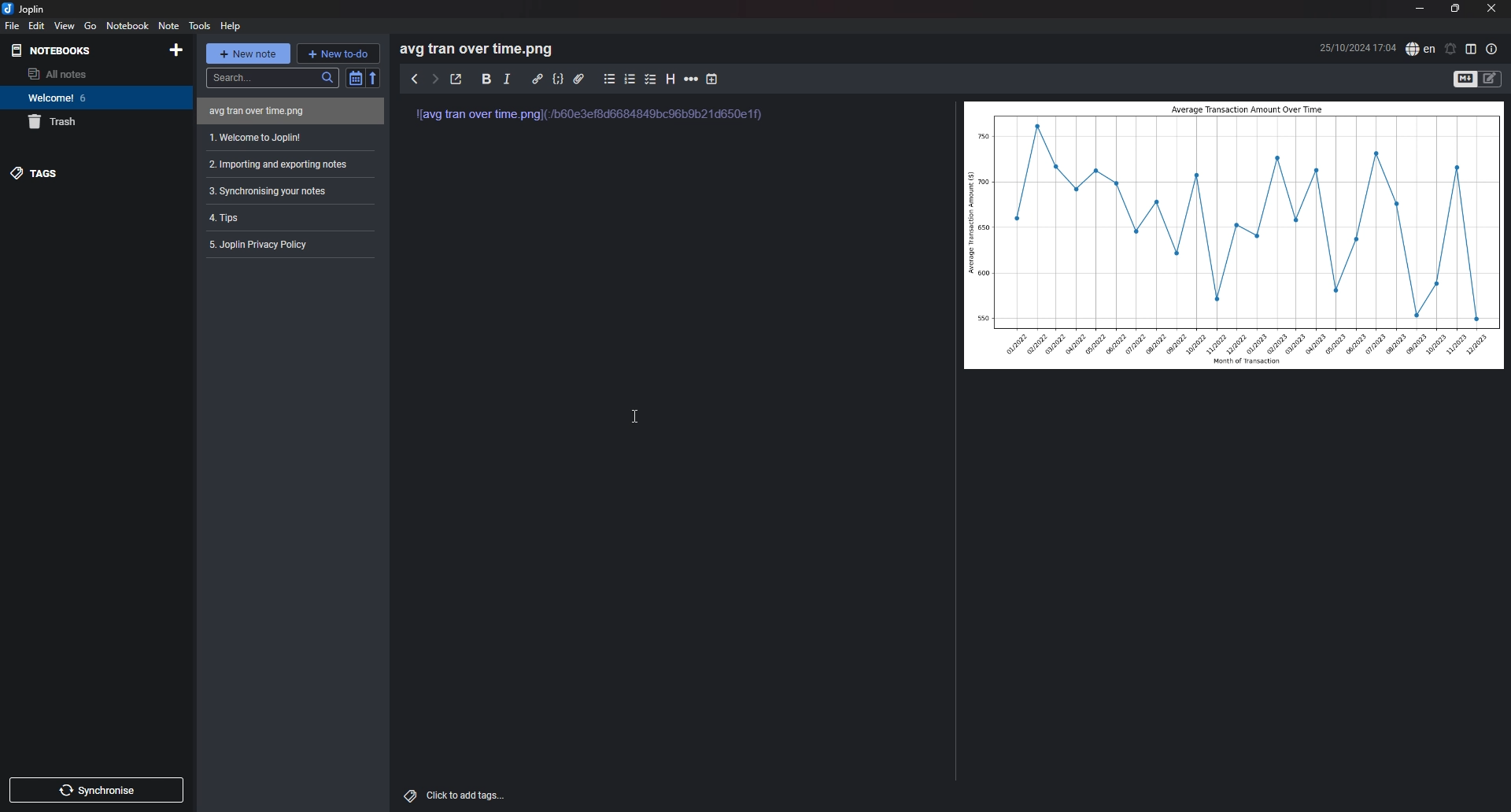 The image size is (1511, 812). I want to click on go, so click(91, 25).